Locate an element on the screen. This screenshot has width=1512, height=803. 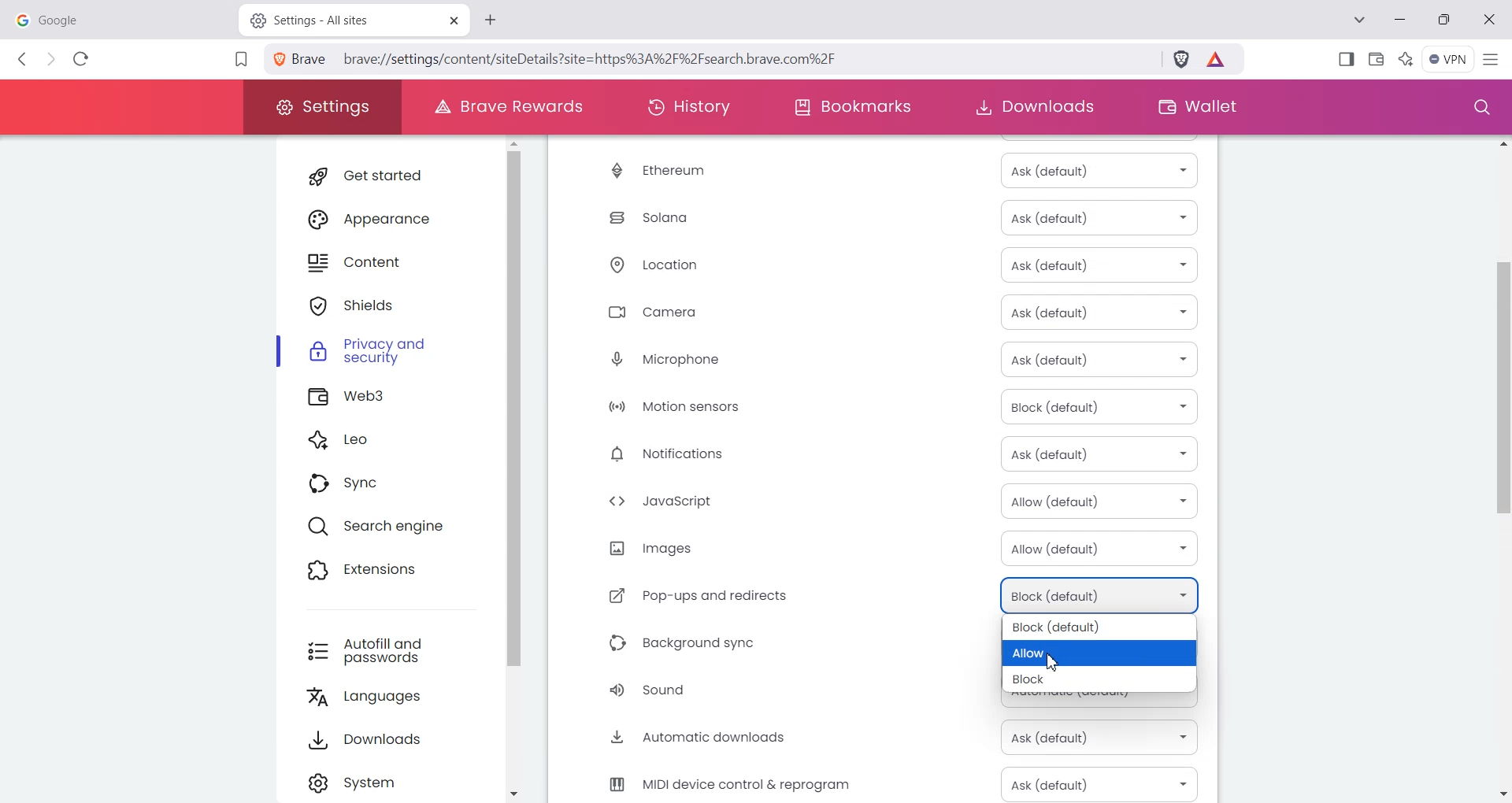
Brave Reward is located at coordinates (1217, 61).